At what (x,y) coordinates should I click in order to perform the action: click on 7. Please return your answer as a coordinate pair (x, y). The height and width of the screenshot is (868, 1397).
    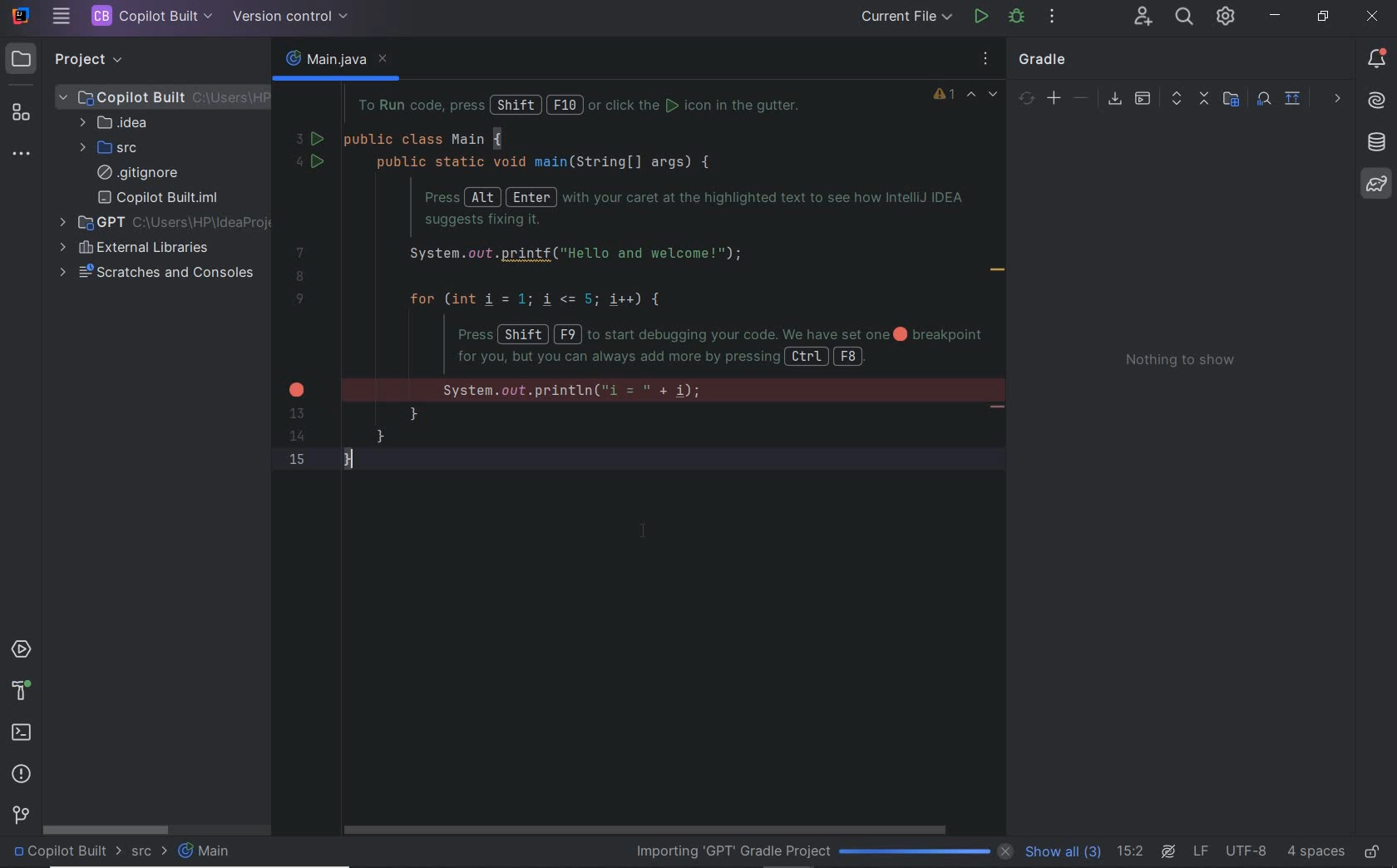
    Looking at the image, I should click on (301, 253).